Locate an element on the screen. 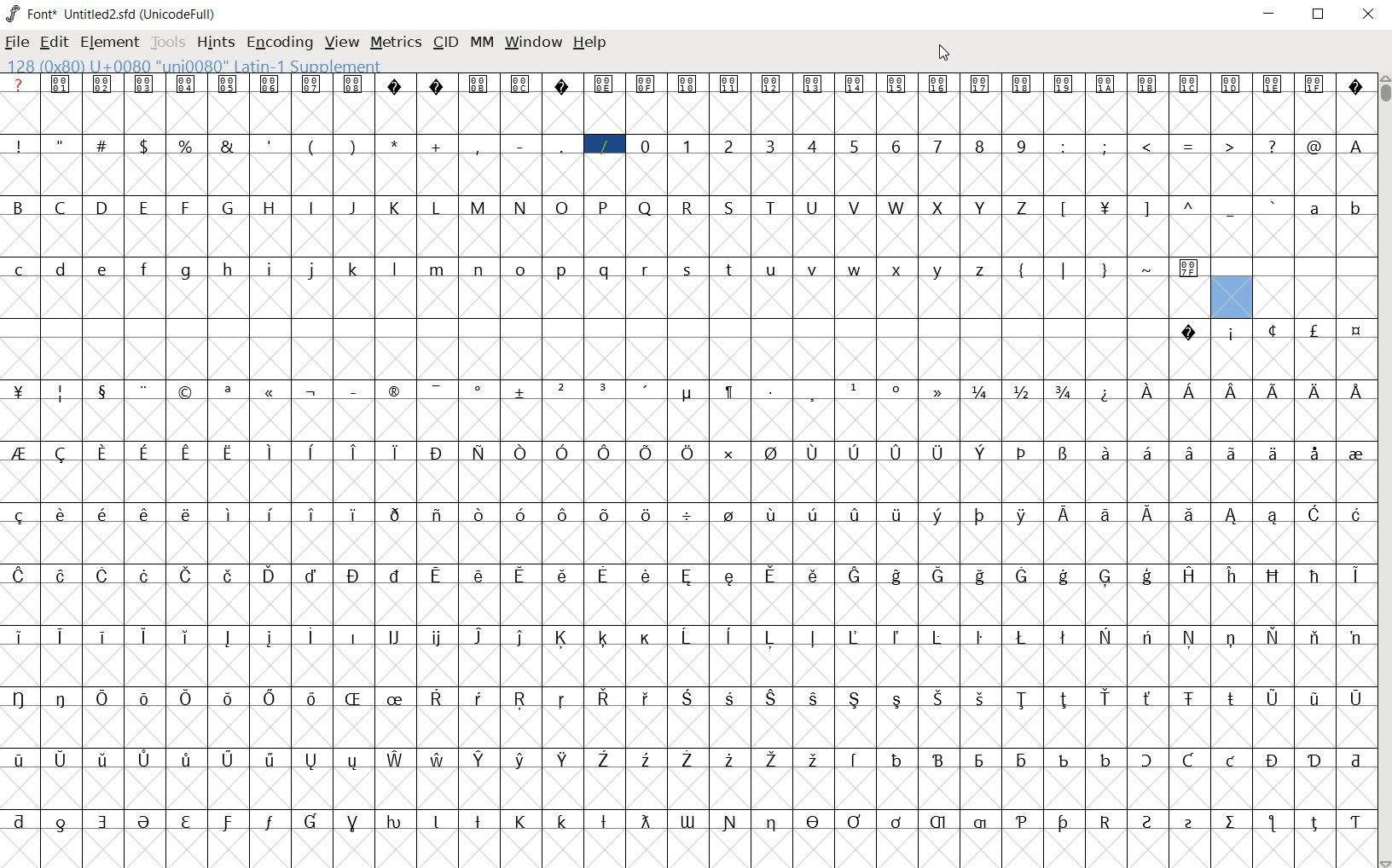 This screenshot has height=868, width=1392. glyph is located at coordinates (188, 576).